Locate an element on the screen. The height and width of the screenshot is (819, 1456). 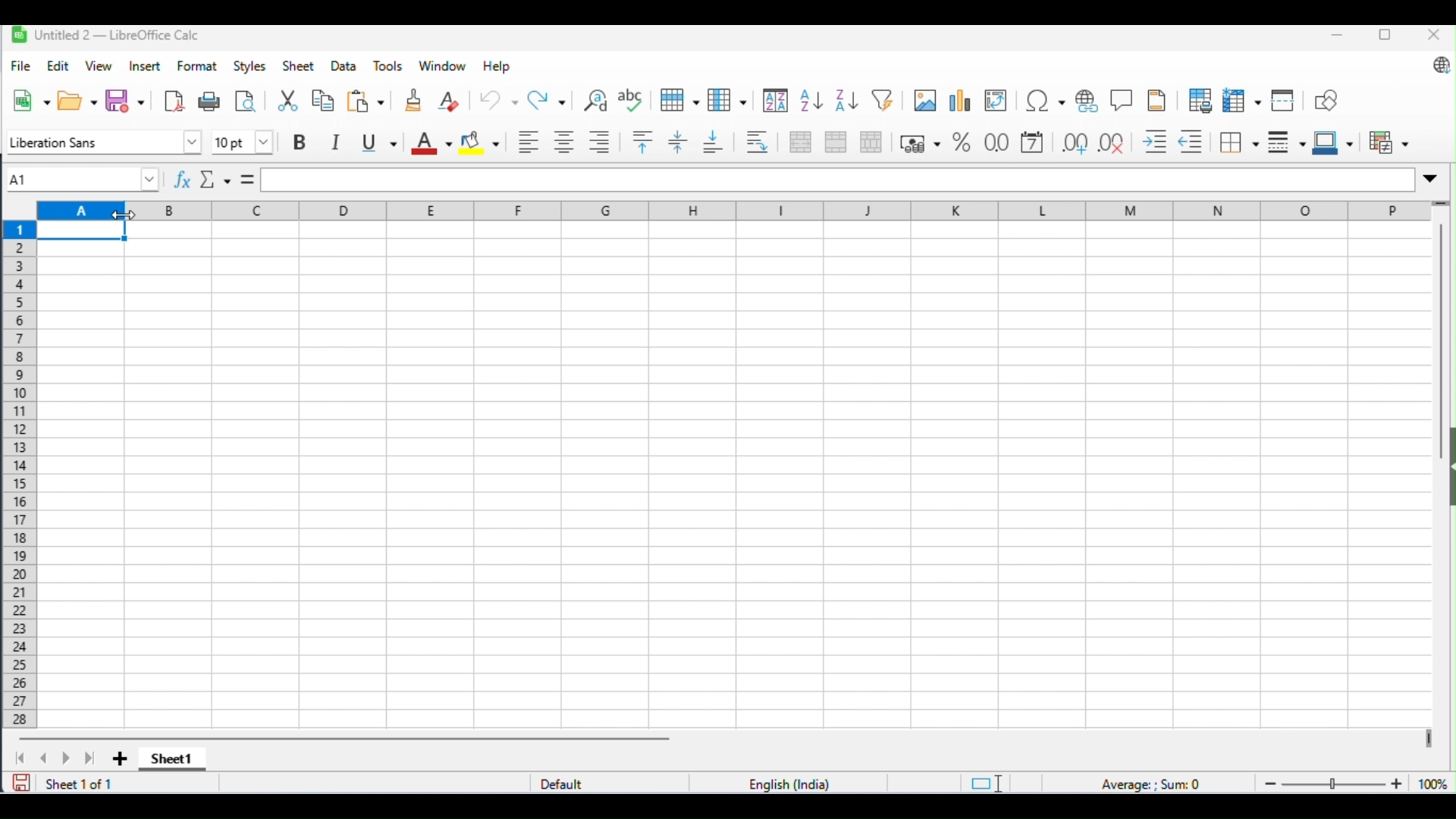
font size is located at coordinates (240, 142).